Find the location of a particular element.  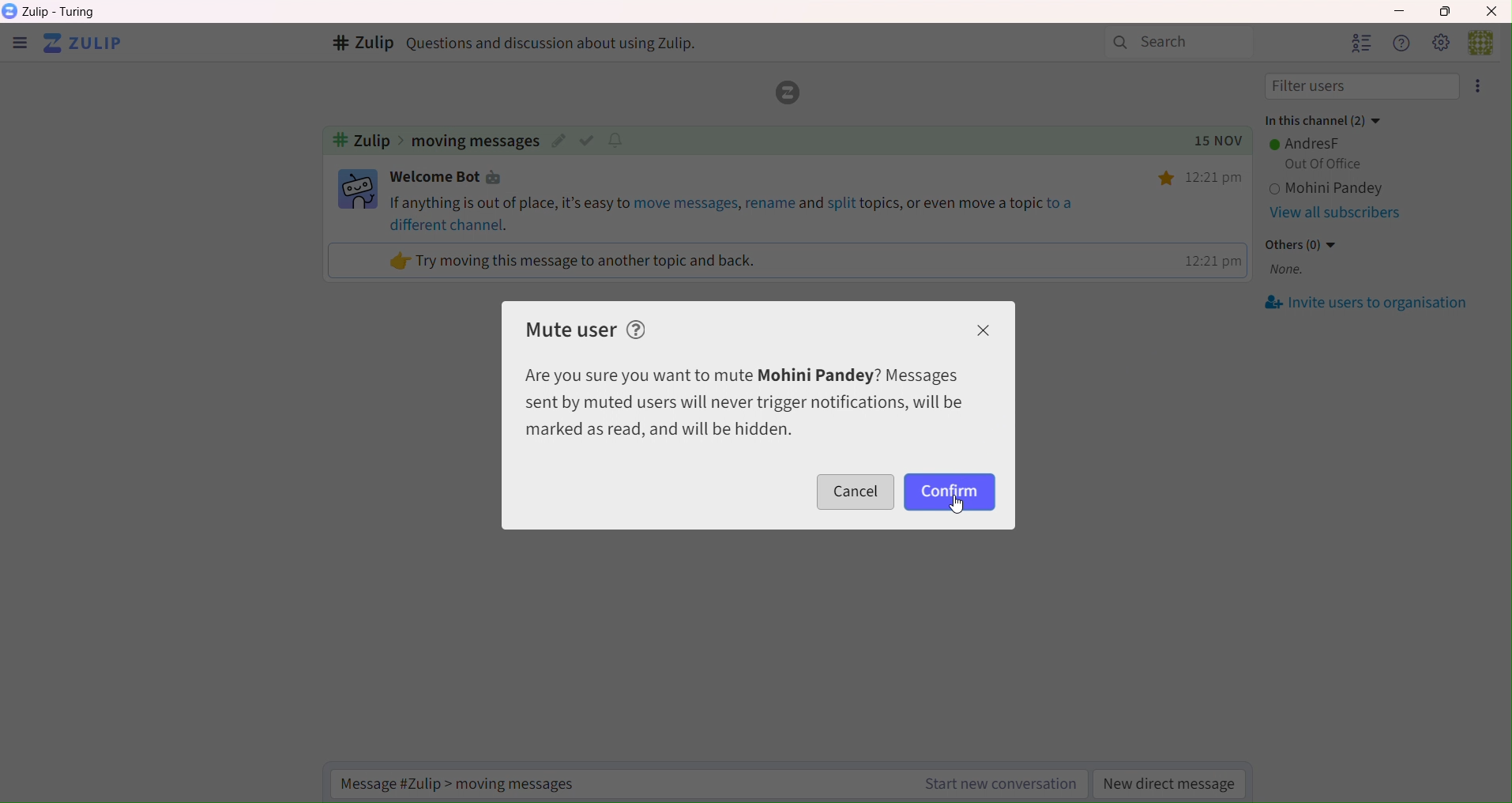

Box is located at coordinates (1450, 11).